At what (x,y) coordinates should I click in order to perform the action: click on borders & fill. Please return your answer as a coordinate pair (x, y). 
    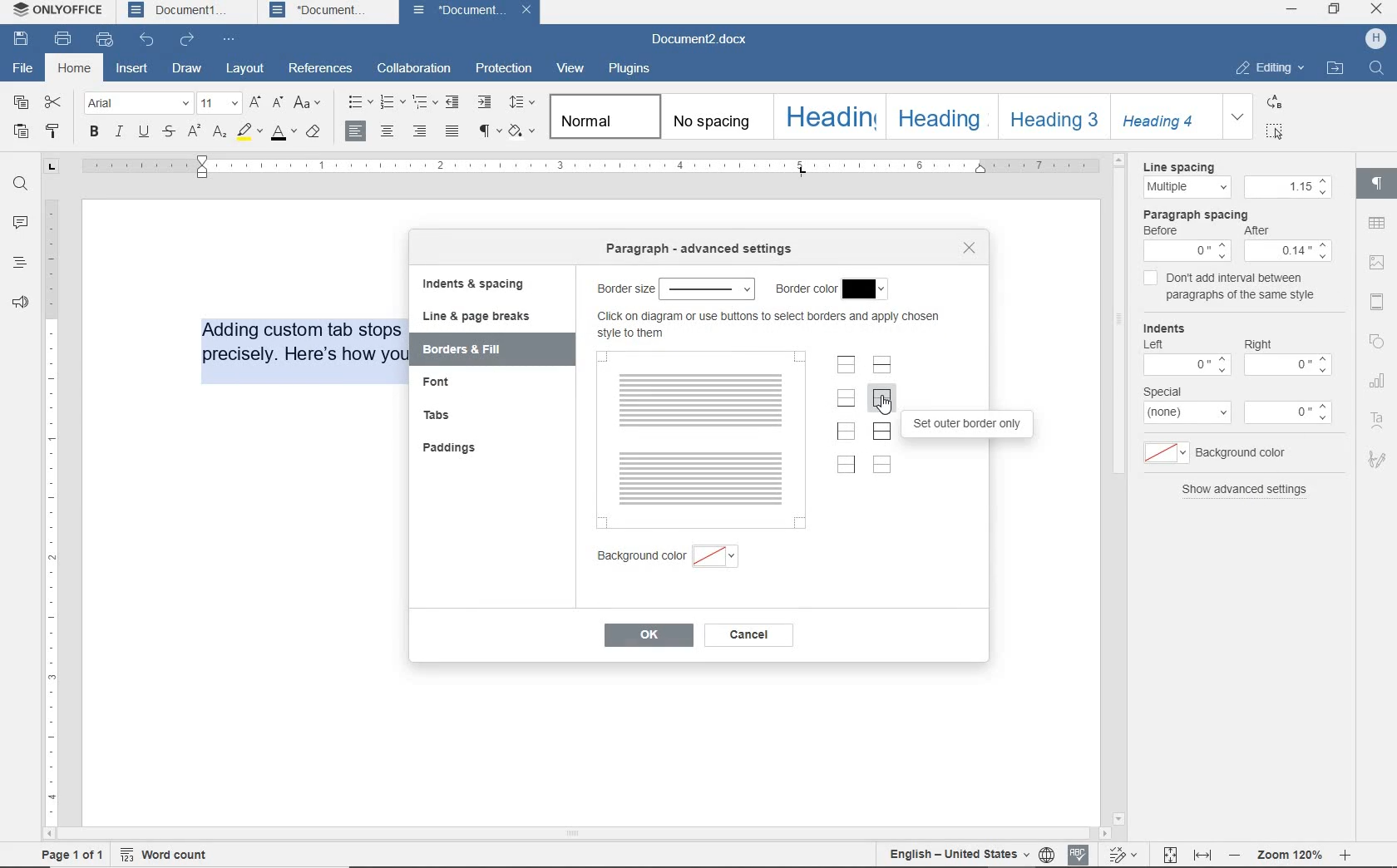
    Looking at the image, I should click on (472, 348).